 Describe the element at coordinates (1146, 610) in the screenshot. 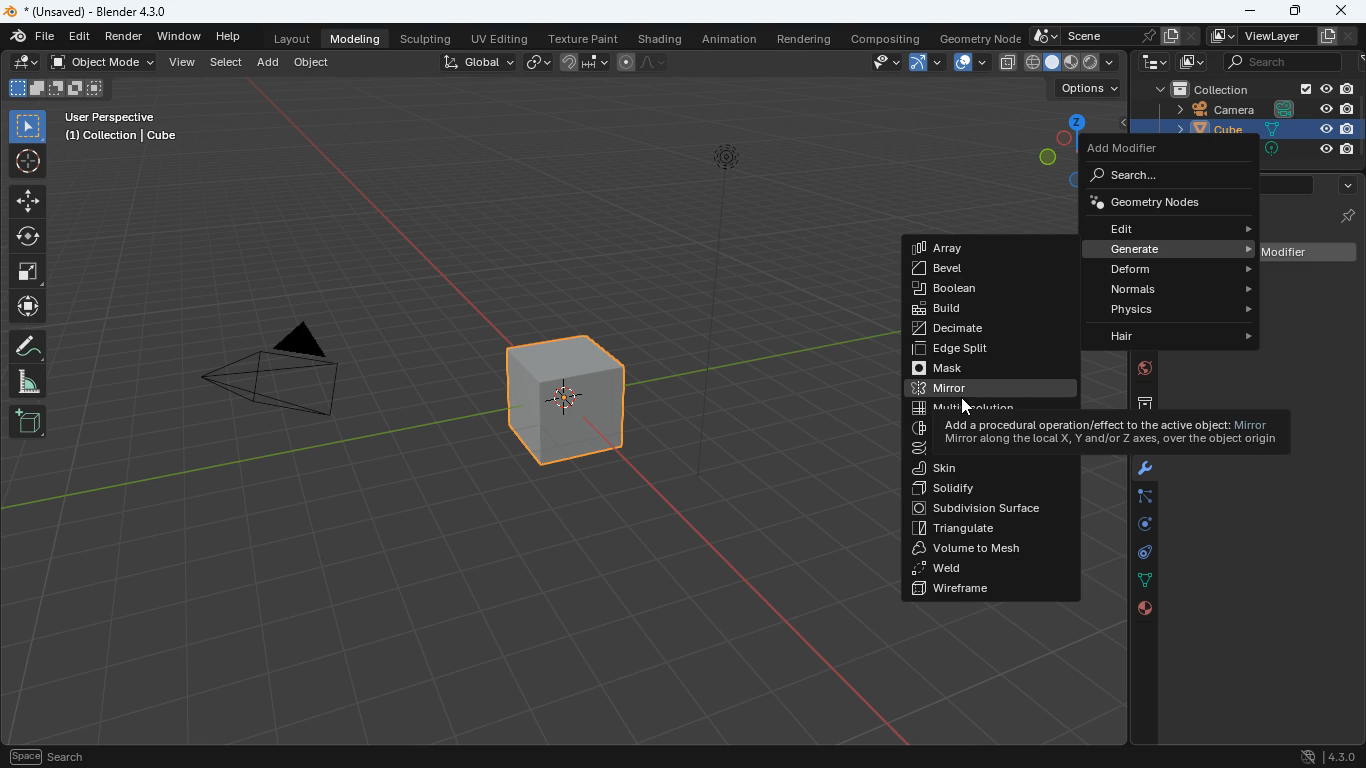

I see `public` at that location.